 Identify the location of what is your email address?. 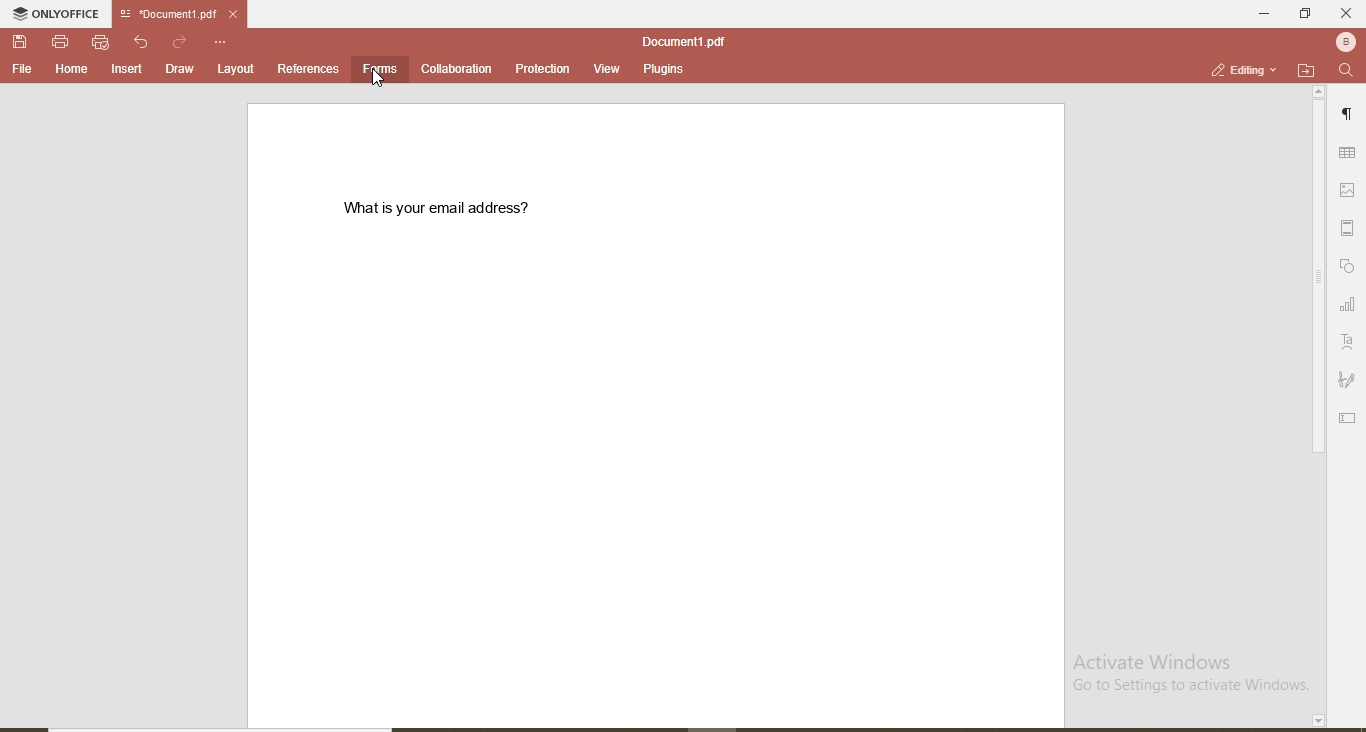
(447, 208).